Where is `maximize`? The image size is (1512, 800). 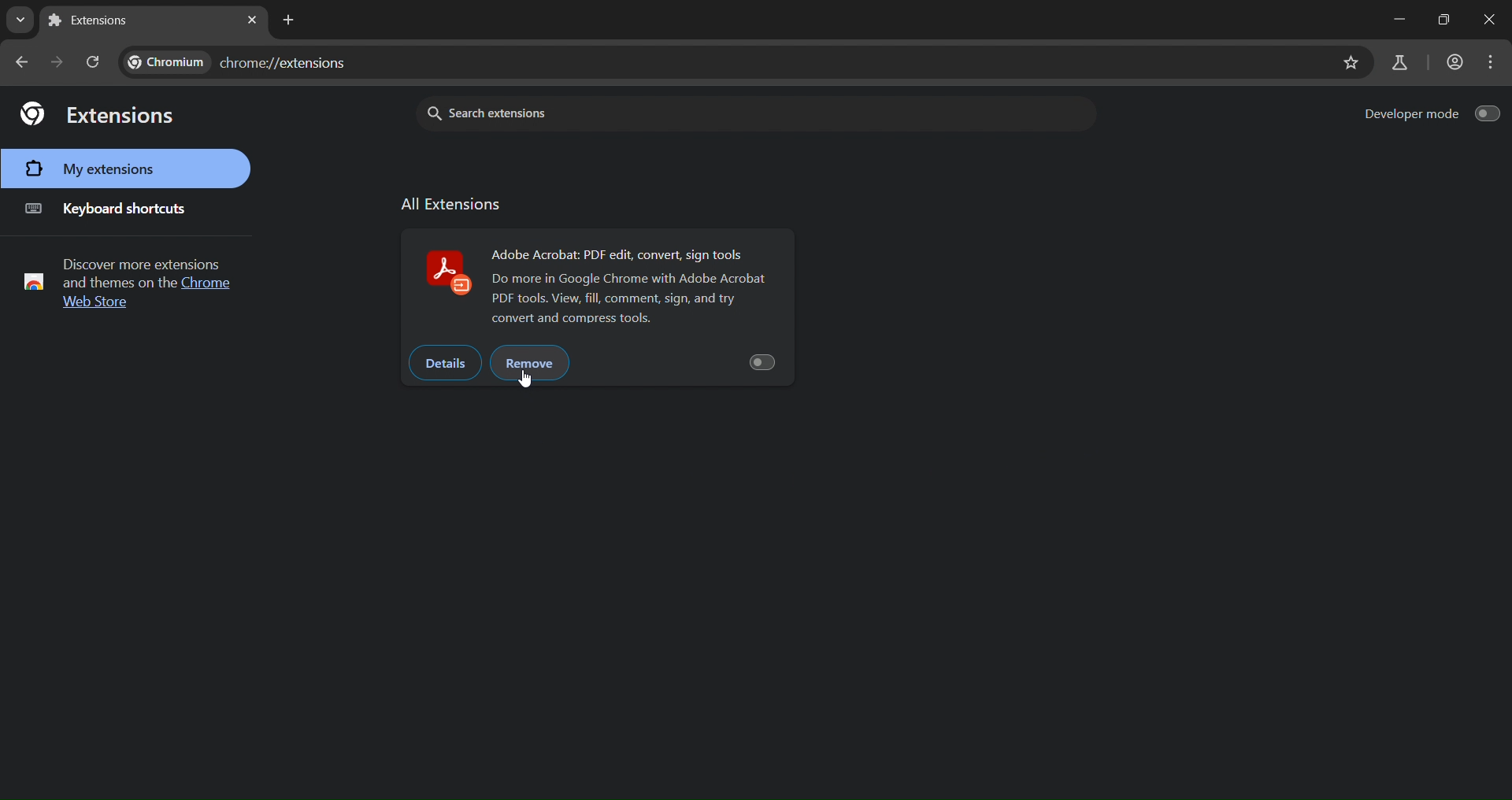
maximize is located at coordinates (1443, 18).